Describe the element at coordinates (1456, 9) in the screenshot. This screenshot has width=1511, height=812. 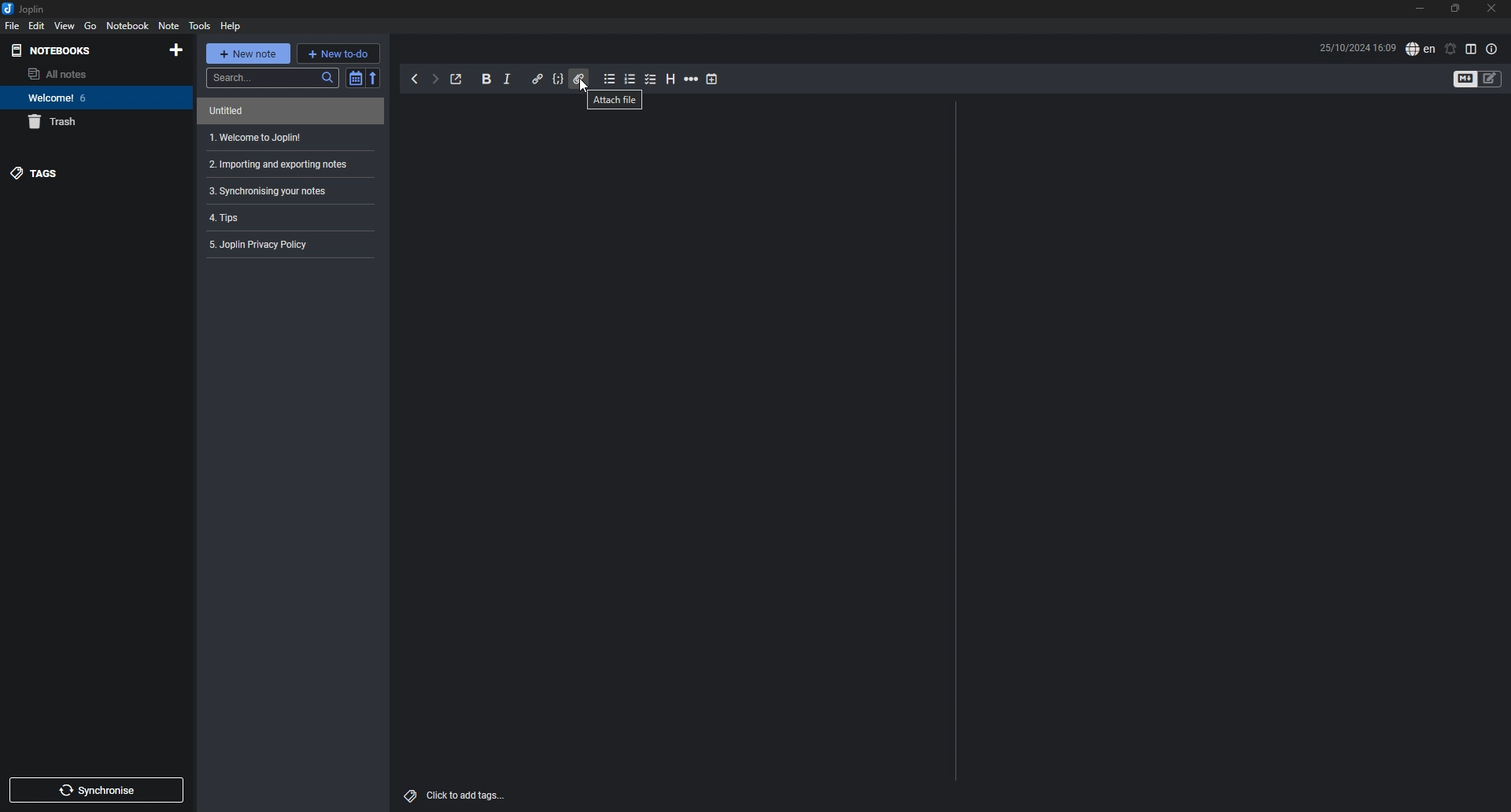
I see `resize` at that location.